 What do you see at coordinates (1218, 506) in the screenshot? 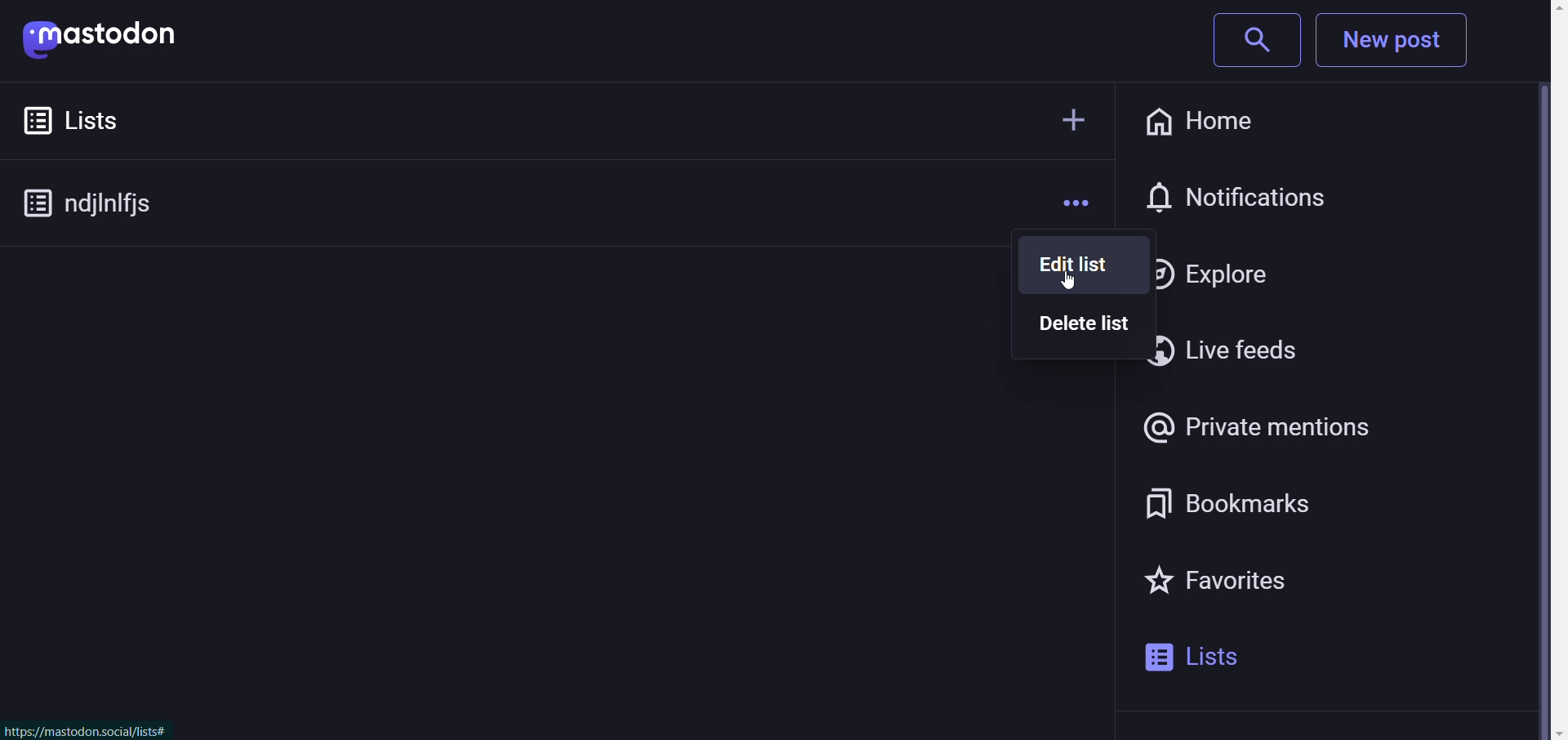
I see `bookmarks` at bounding box center [1218, 506].